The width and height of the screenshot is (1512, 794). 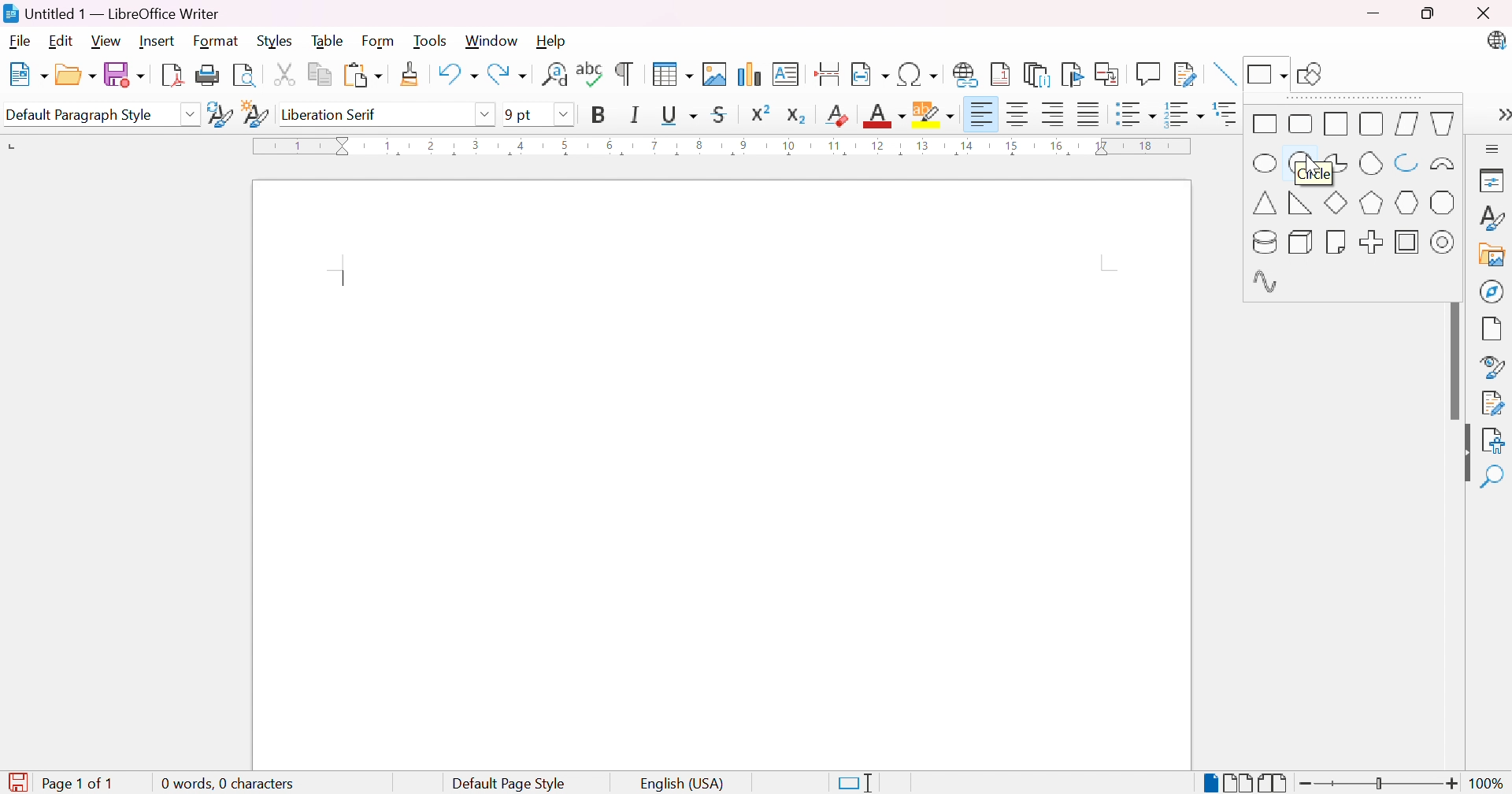 What do you see at coordinates (886, 114) in the screenshot?
I see `Font color` at bounding box center [886, 114].